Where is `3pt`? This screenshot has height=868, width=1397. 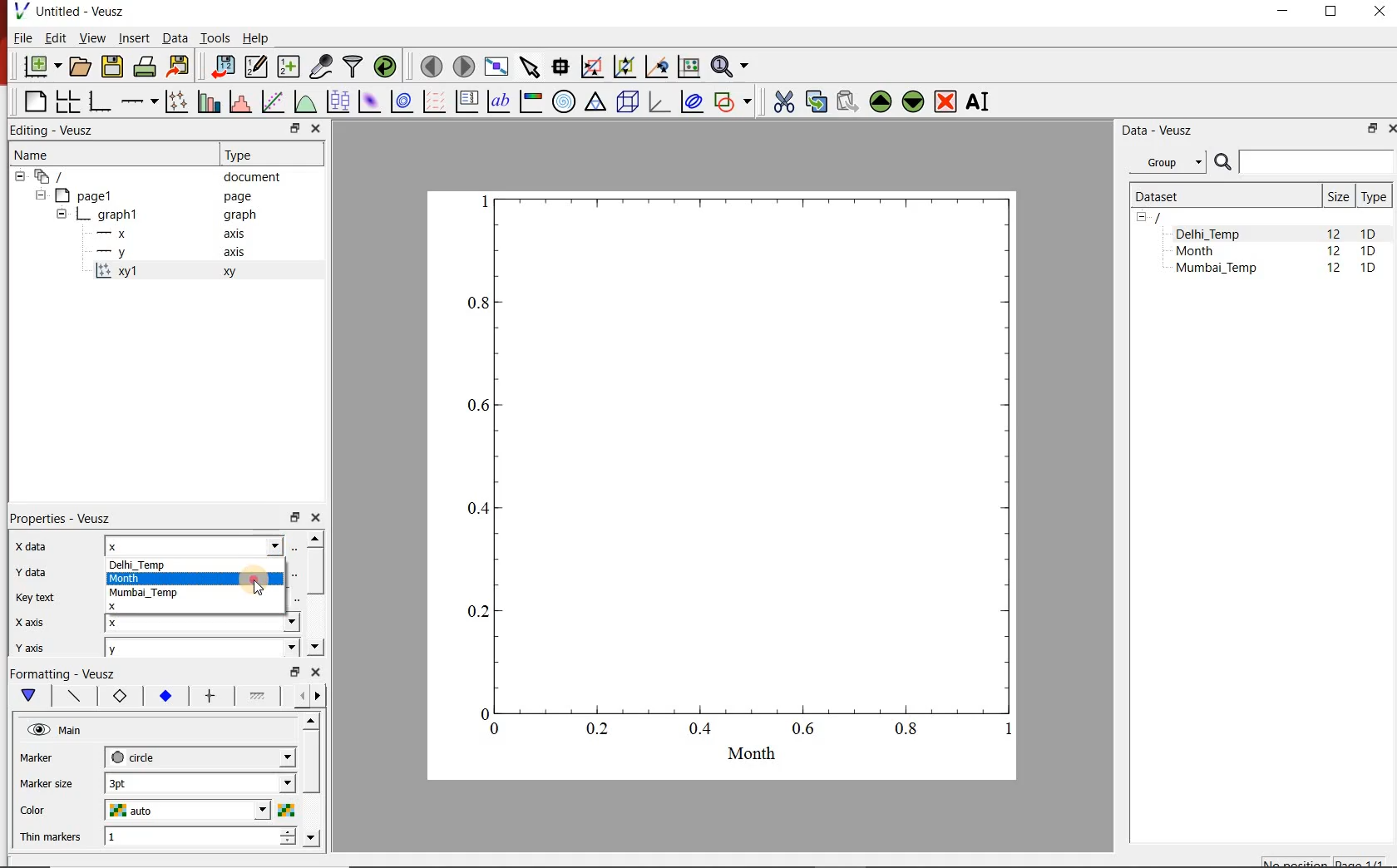
3pt is located at coordinates (200, 783).